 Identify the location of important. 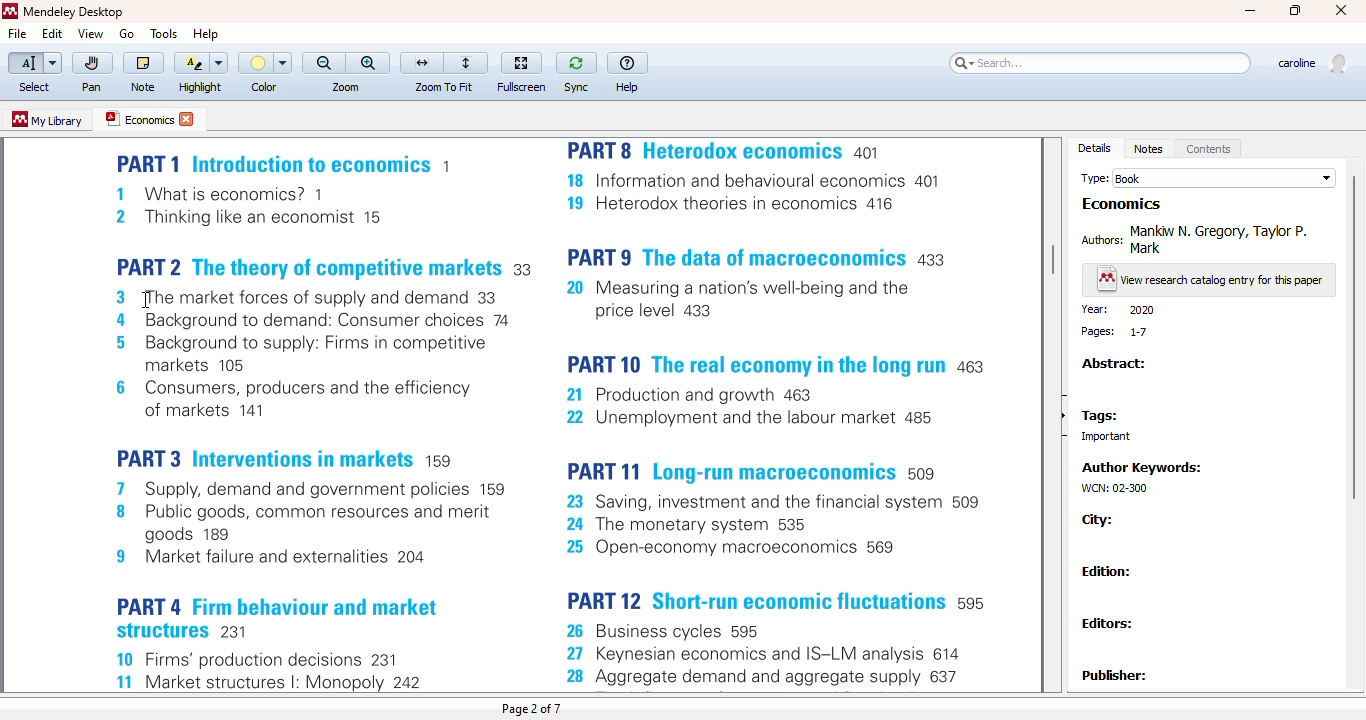
(1099, 437).